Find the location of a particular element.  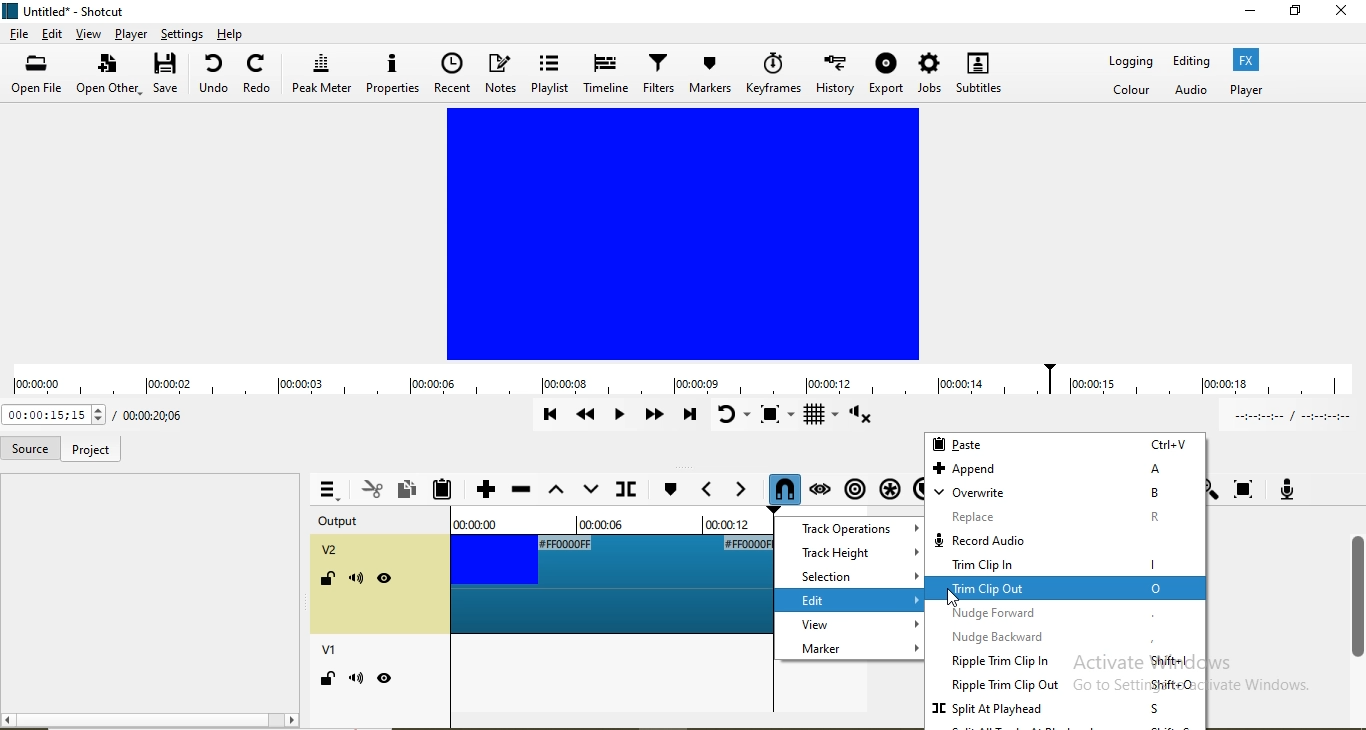

jobs is located at coordinates (931, 71).